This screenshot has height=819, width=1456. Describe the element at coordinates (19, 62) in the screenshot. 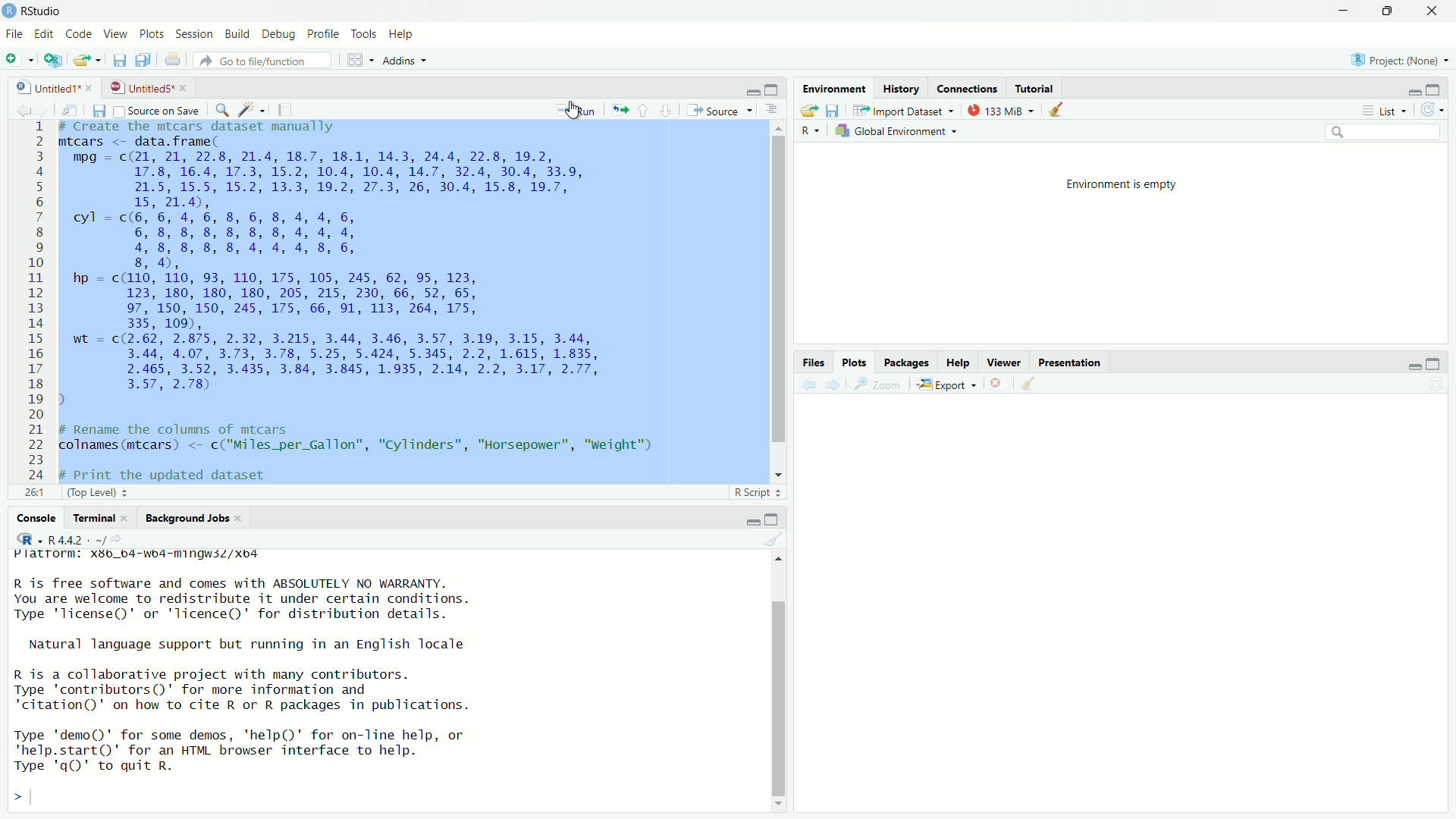

I see `add` at that location.